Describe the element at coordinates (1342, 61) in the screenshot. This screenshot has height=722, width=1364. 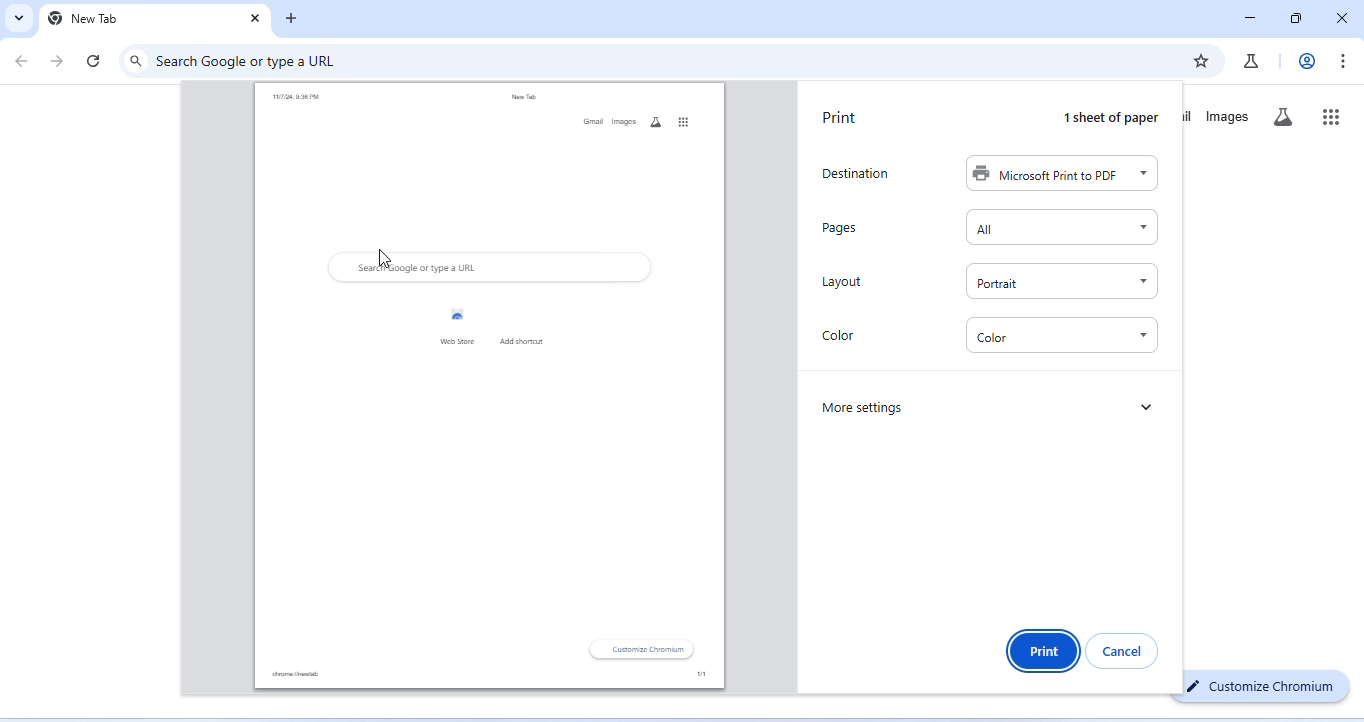
I see `customize and control chromium` at that location.